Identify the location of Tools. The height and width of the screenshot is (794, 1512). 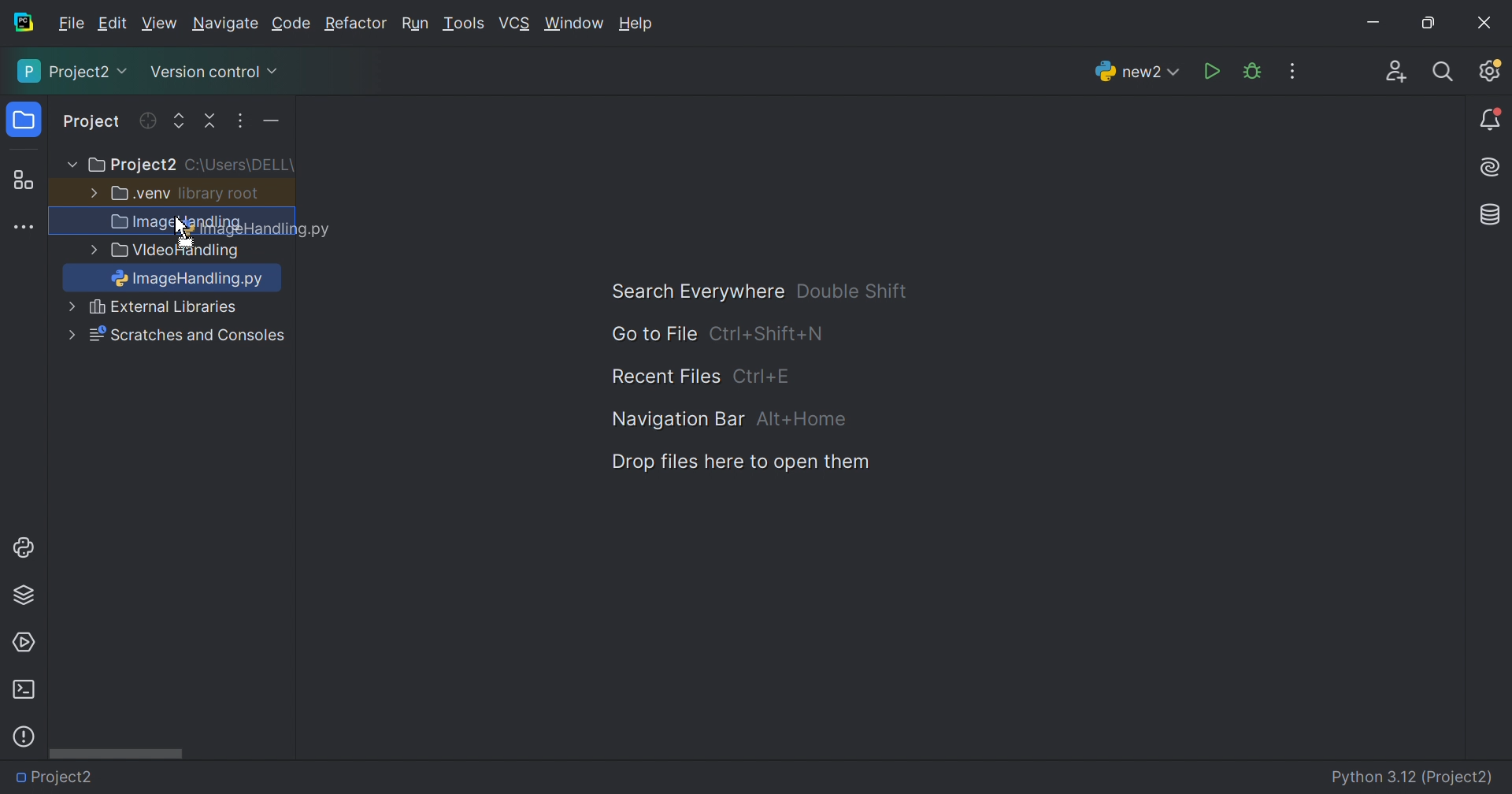
(462, 24).